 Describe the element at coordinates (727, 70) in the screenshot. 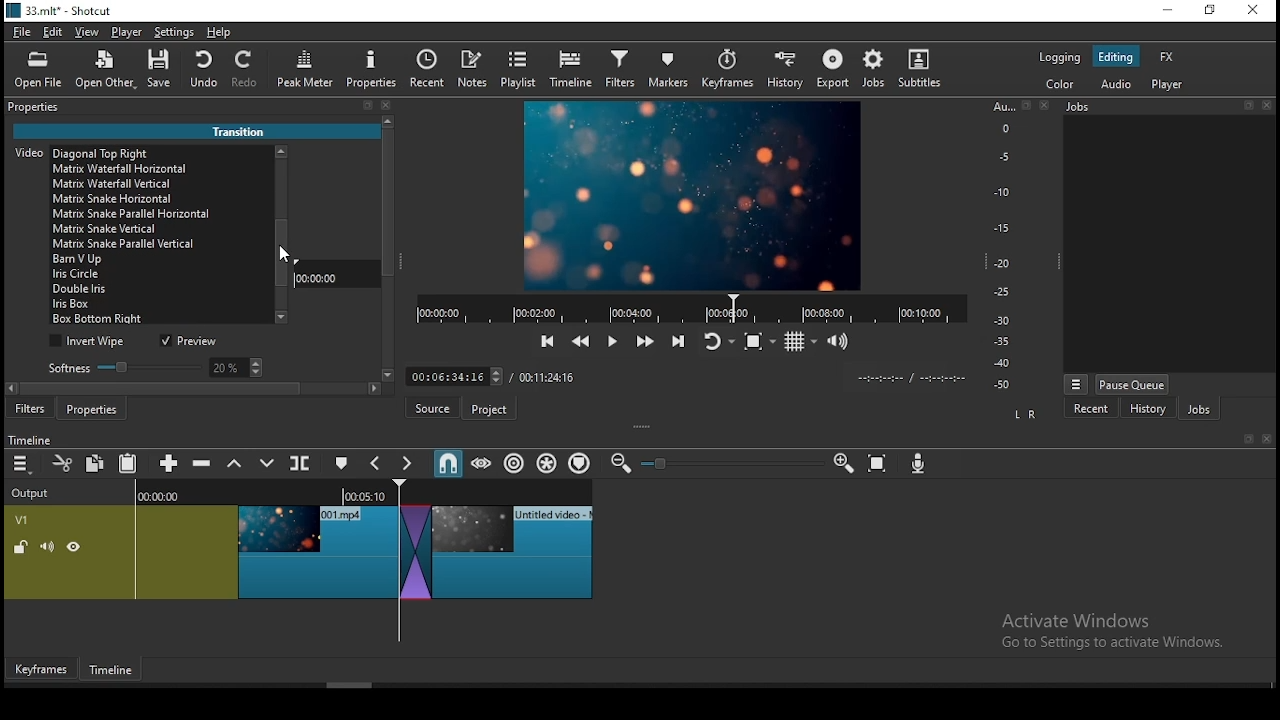

I see `keyframes` at that location.